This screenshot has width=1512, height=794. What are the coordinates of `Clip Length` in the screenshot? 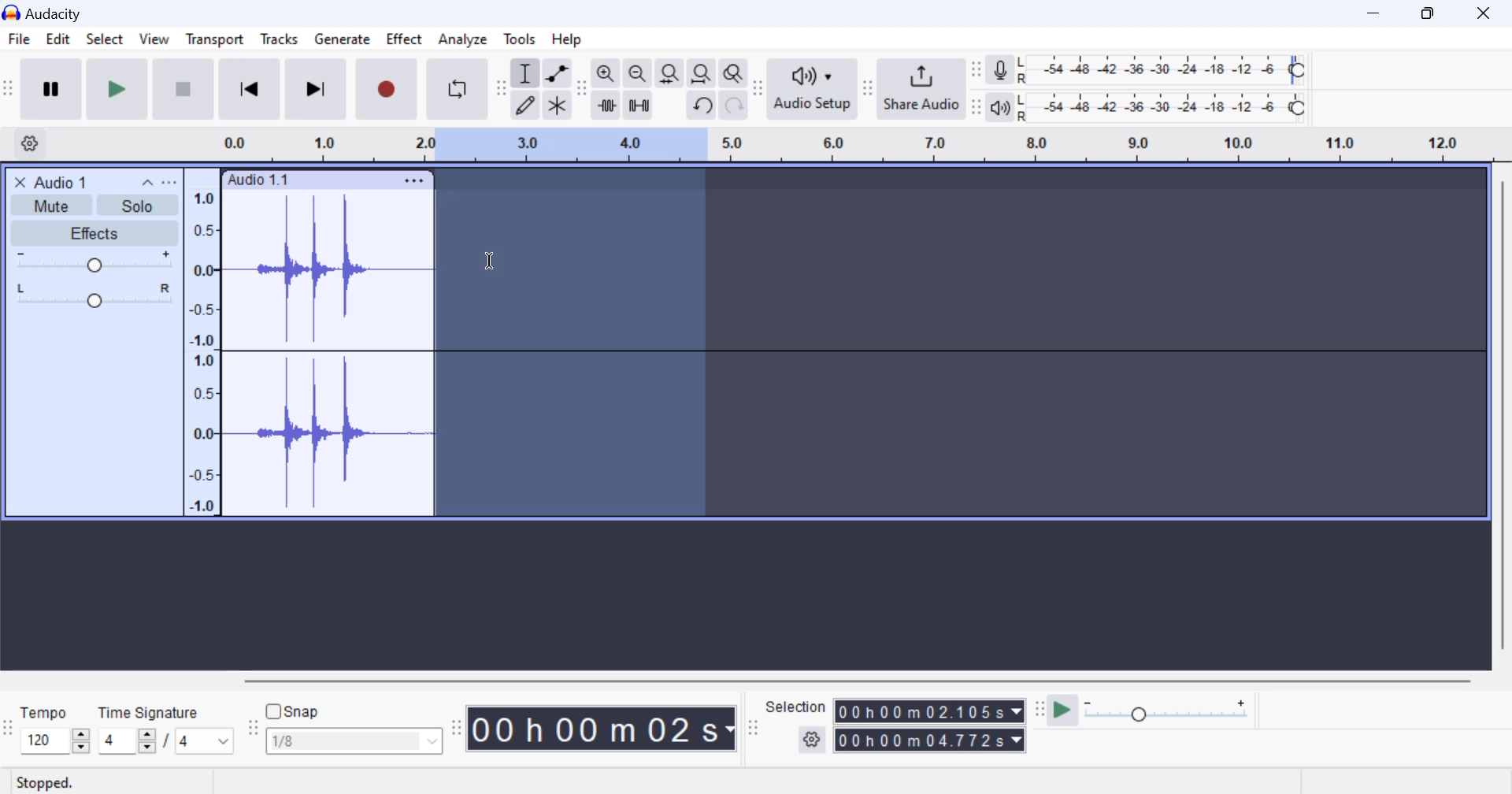 It's located at (605, 728).